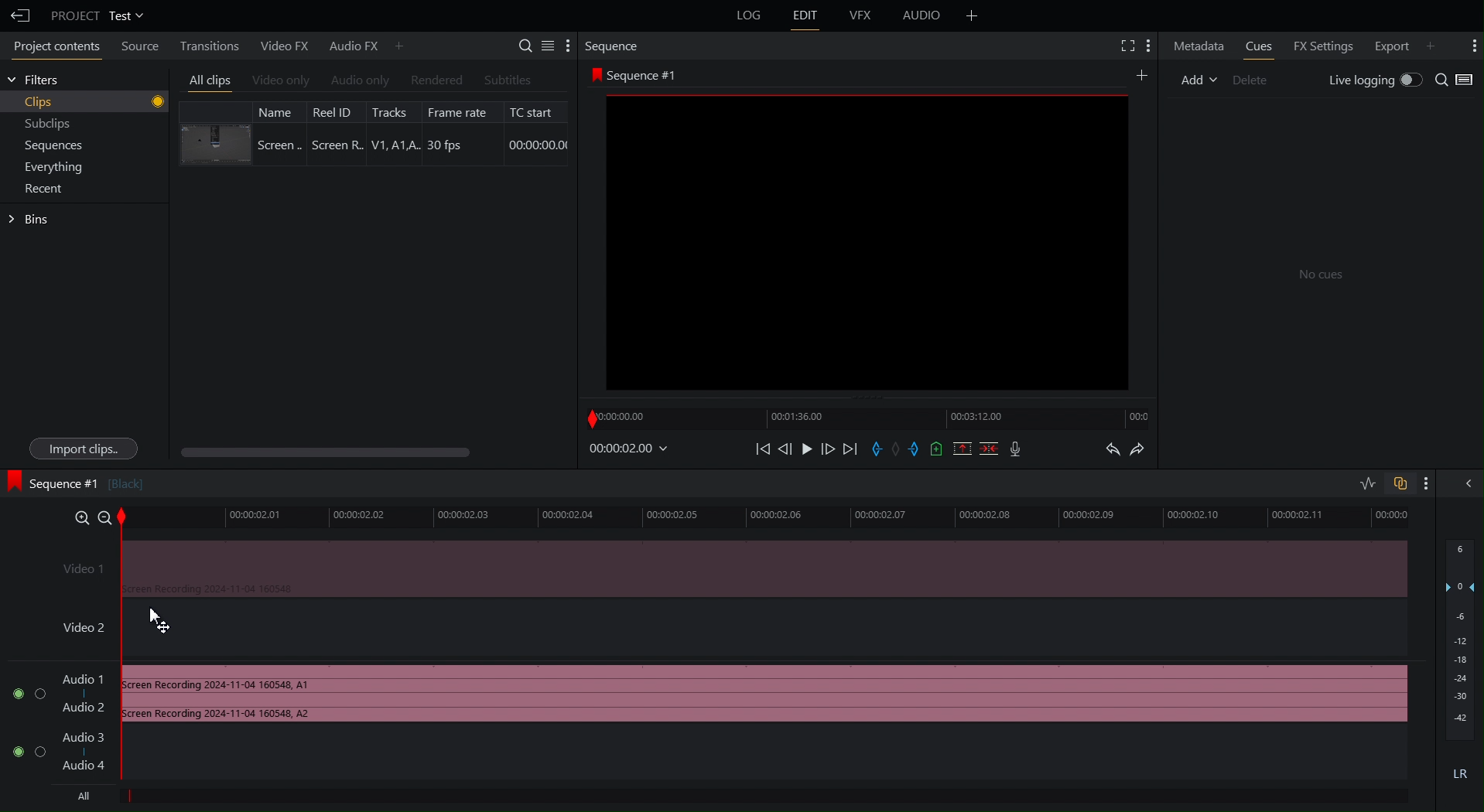  Describe the element at coordinates (970, 16) in the screenshot. I see `Add` at that location.